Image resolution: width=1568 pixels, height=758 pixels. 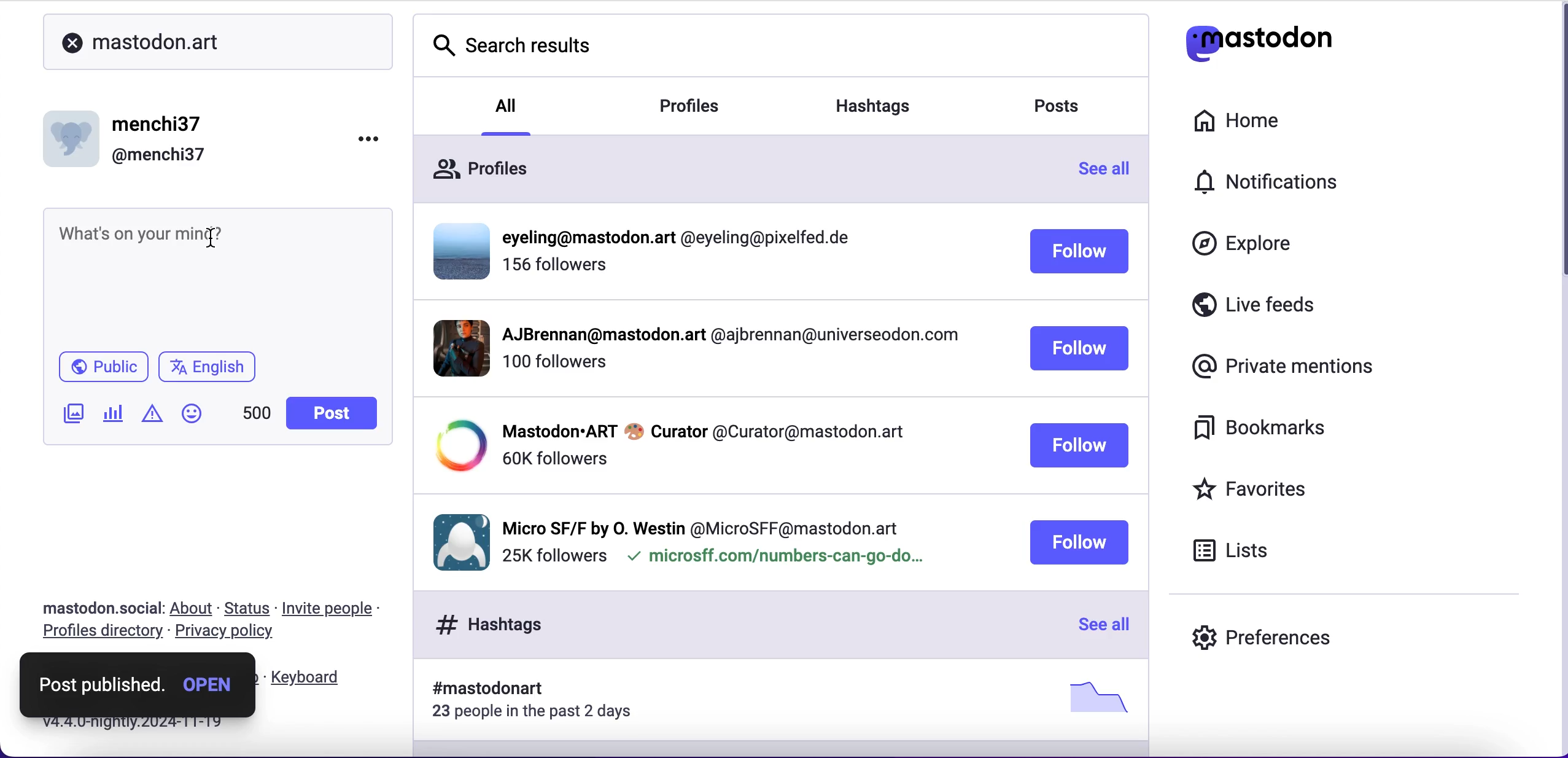 I want to click on 23 people in the past 2 days, so click(x=540, y=714).